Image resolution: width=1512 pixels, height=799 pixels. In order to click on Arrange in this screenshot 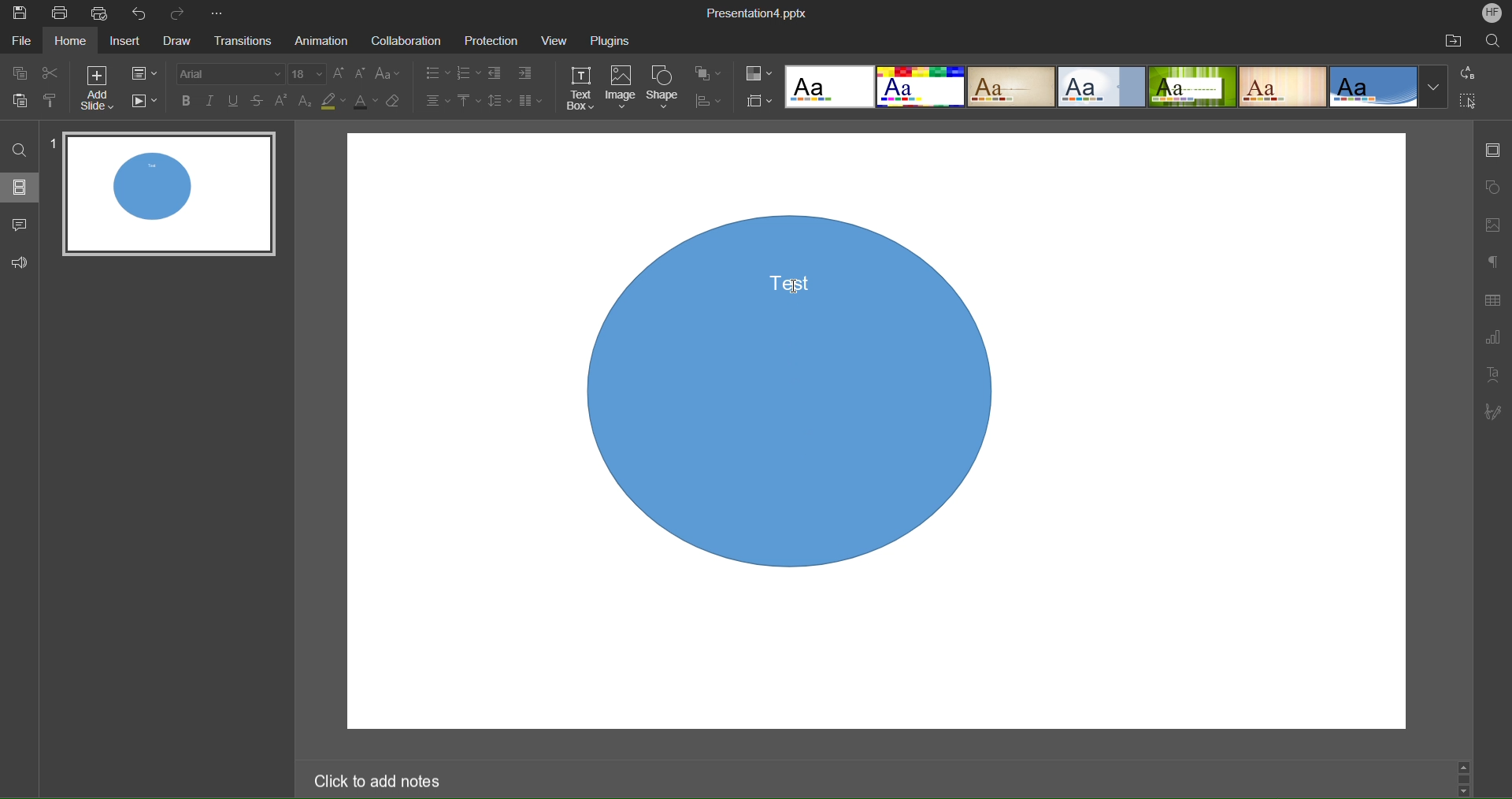, I will do `click(707, 72)`.